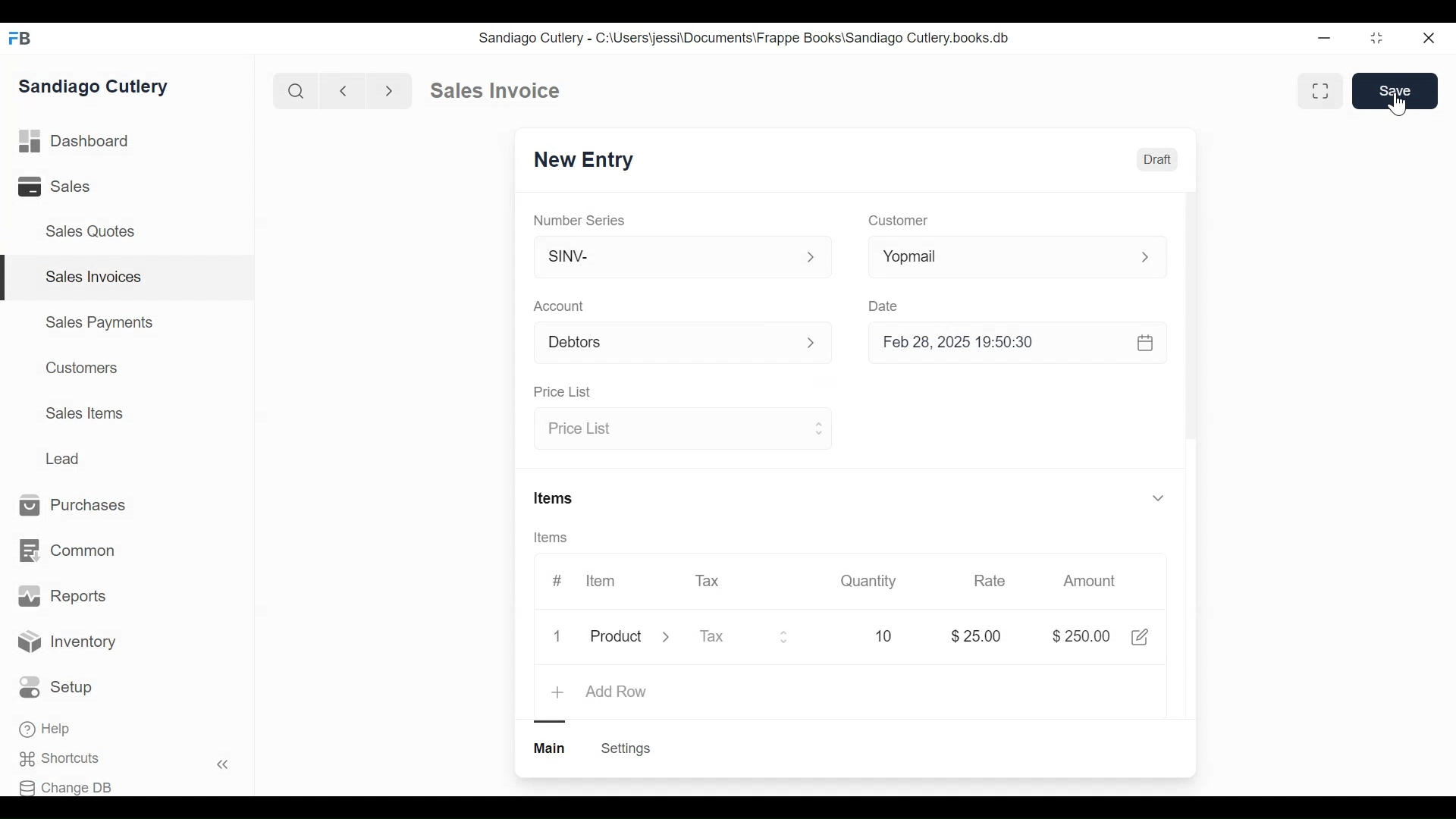  Describe the element at coordinates (708, 580) in the screenshot. I see `Tax` at that location.